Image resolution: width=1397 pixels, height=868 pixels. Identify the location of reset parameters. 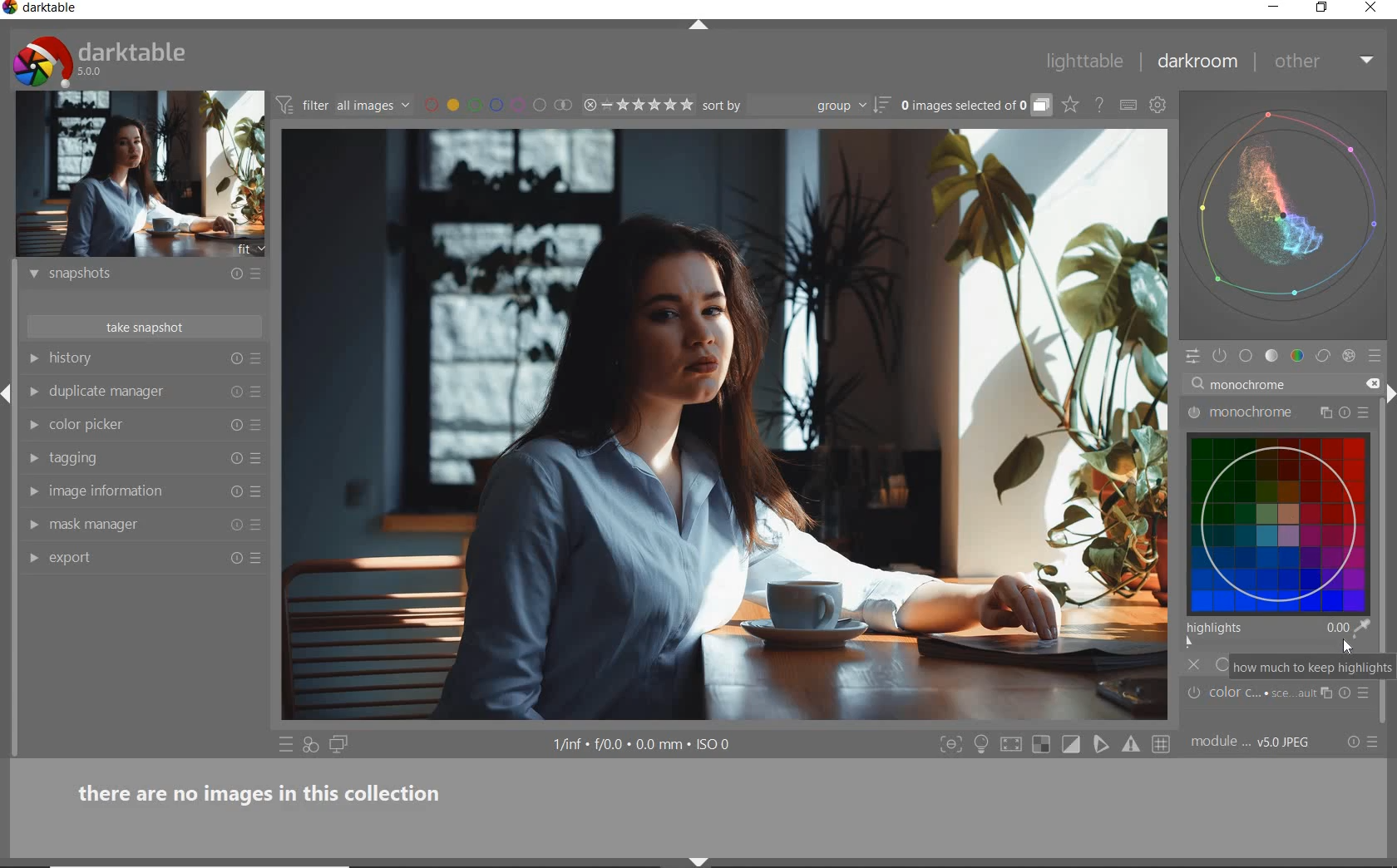
(1343, 693).